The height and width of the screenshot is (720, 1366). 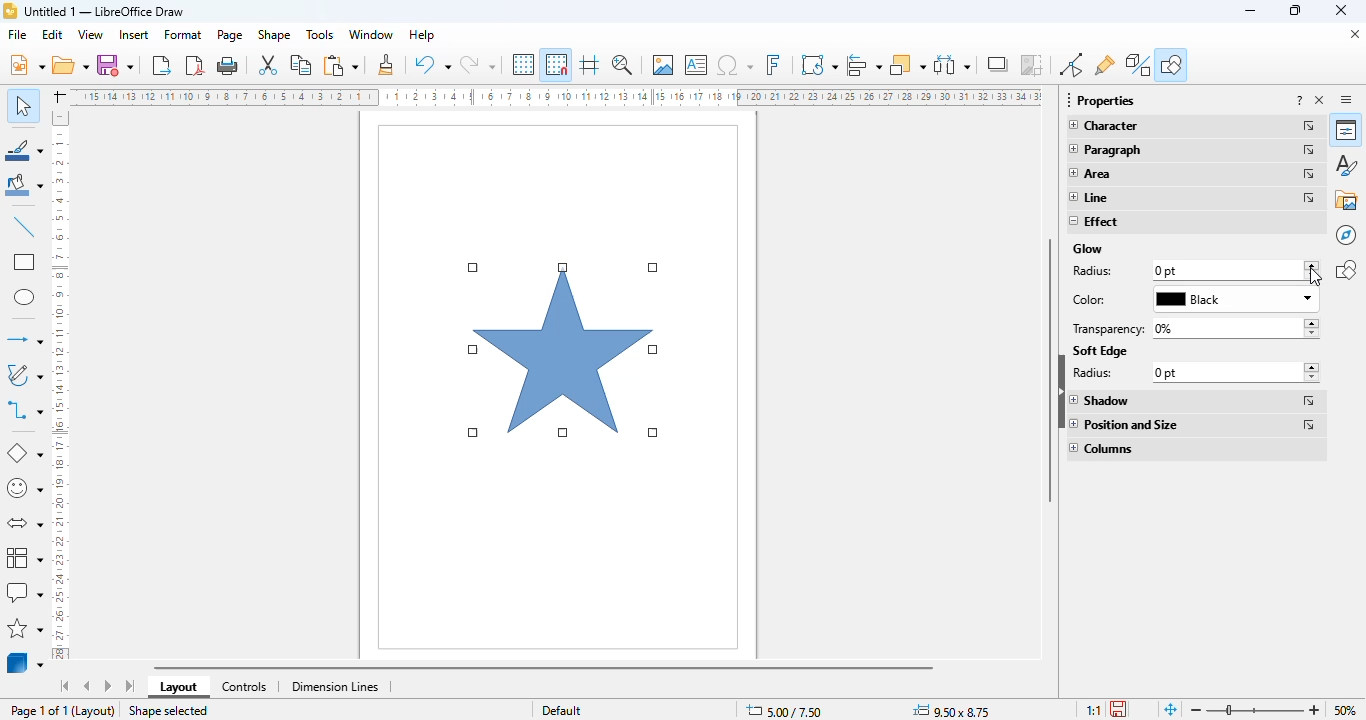 What do you see at coordinates (524, 64) in the screenshot?
I see `display grid` at bounding box center [524, 64].